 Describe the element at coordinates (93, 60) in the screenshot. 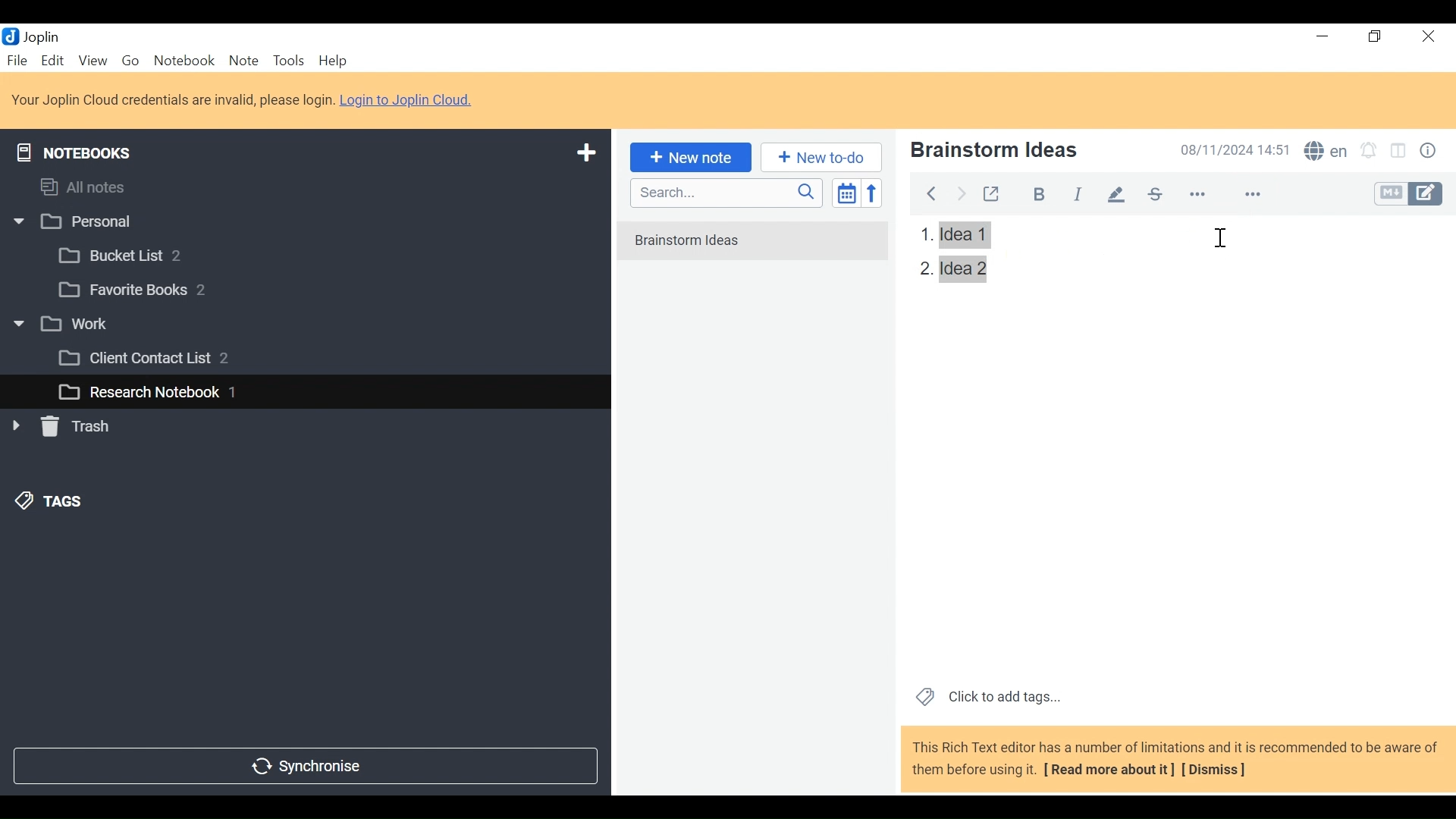

I see `View` at that location.